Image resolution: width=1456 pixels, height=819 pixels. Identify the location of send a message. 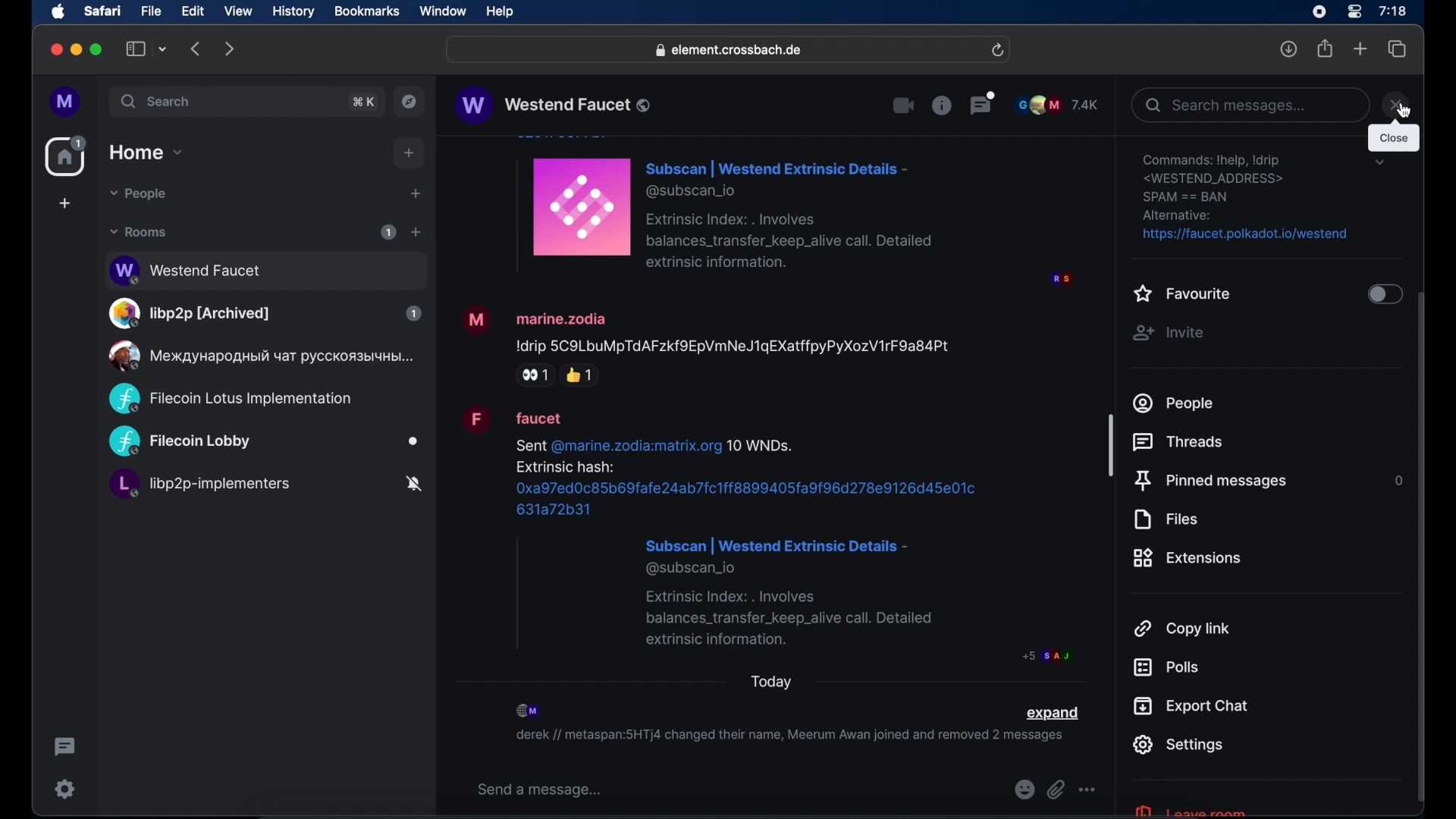
(540, 790).